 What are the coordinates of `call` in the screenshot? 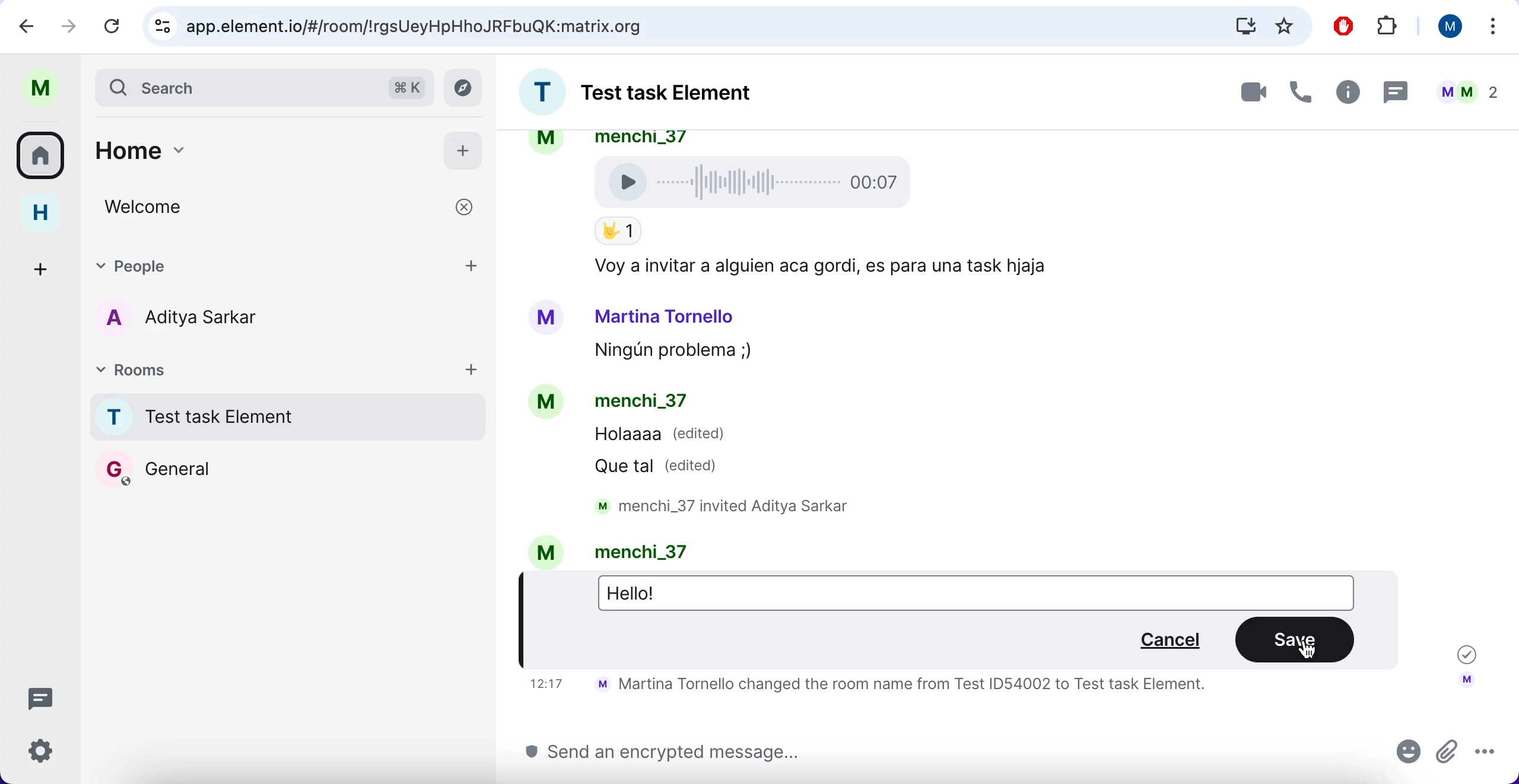 It's located at (1302, 94).